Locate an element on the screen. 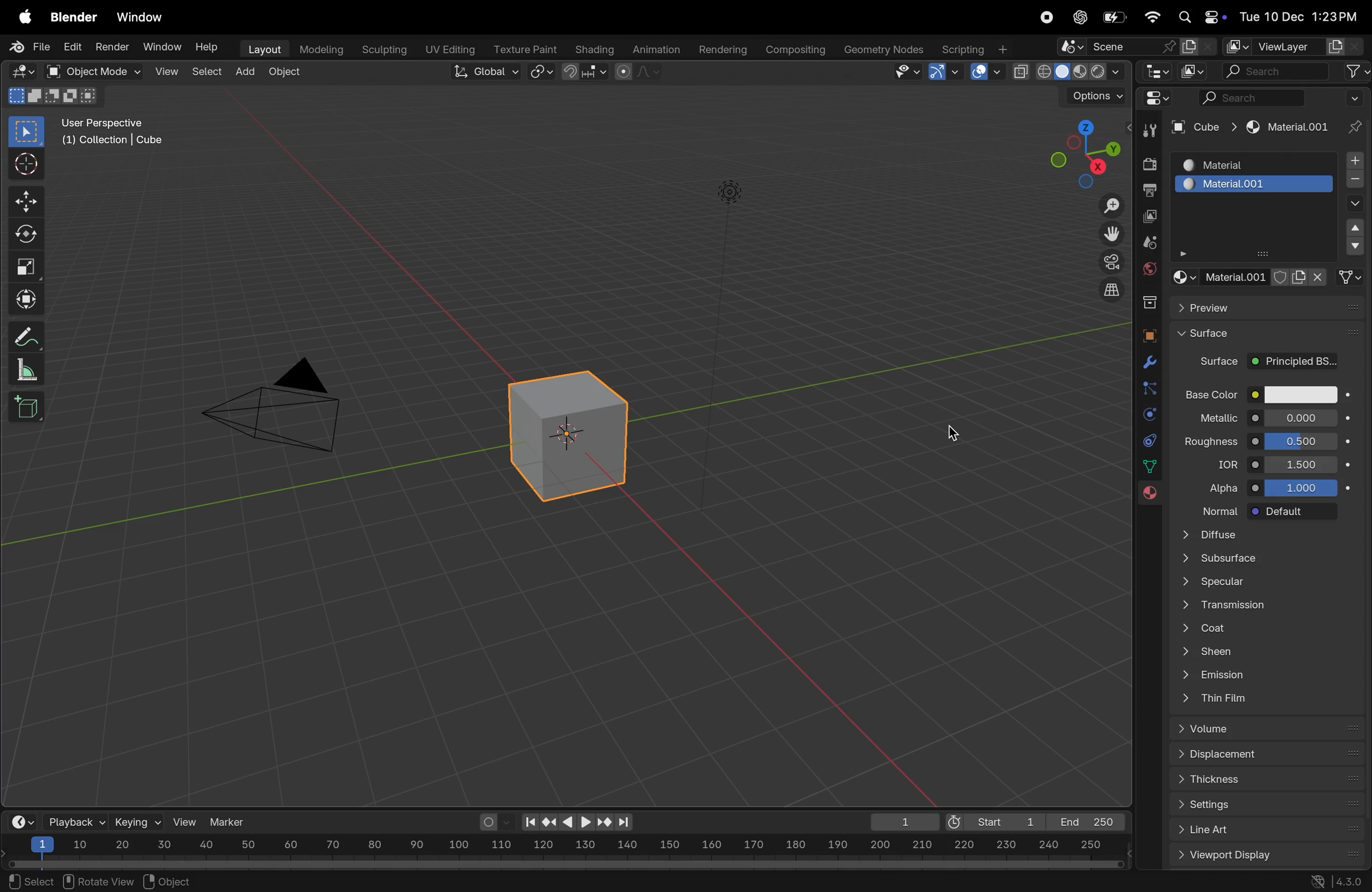 The width and height of the screenshot is (1372, 892). version 4.30 is located at coordinates (1333, 882).